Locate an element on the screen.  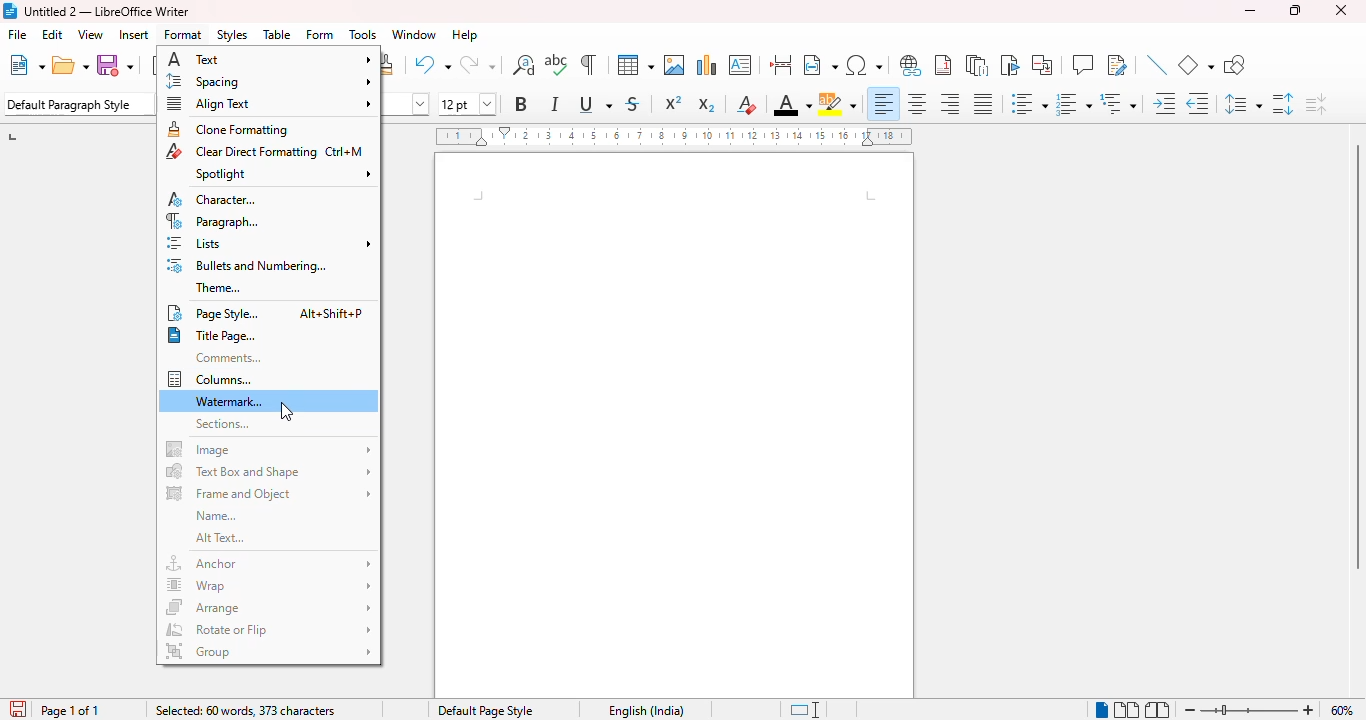
comments is located at coordinates (228, 358).